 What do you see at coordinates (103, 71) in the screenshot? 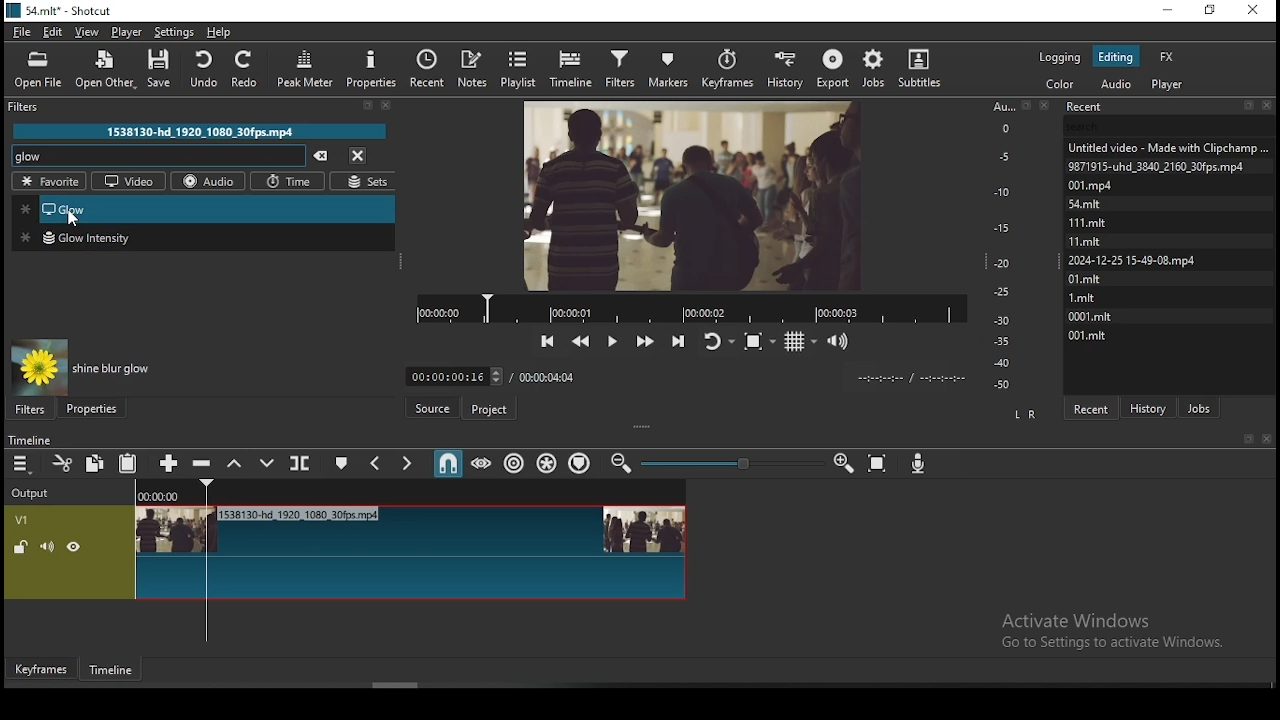
I see `open other` at bounding box center [103, 71].